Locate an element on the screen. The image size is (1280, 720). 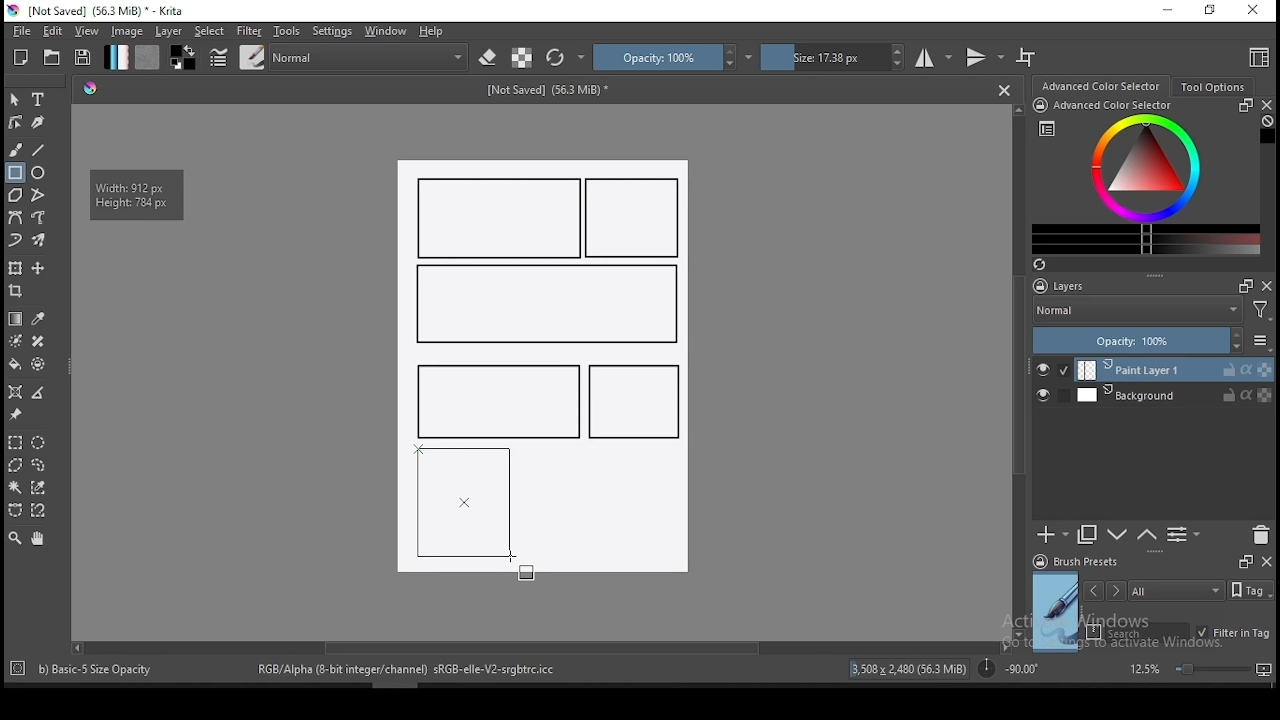
new rectangle is located at coordinates (636, 219).